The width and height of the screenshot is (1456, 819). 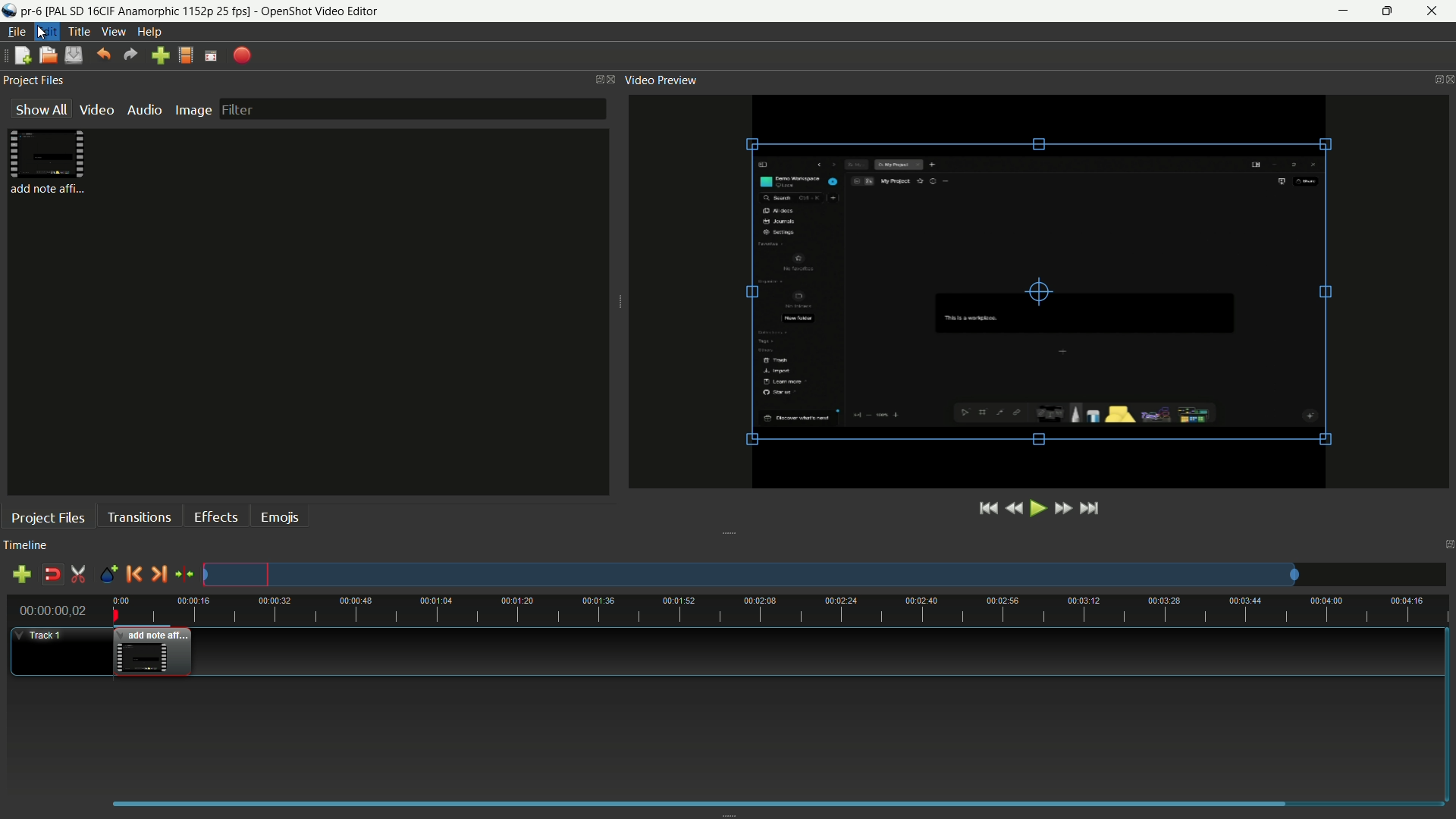 What do you see at coordinates (1093, 508) in the screenshot?
I see `jump to end` at bounding box center [1093, 508].